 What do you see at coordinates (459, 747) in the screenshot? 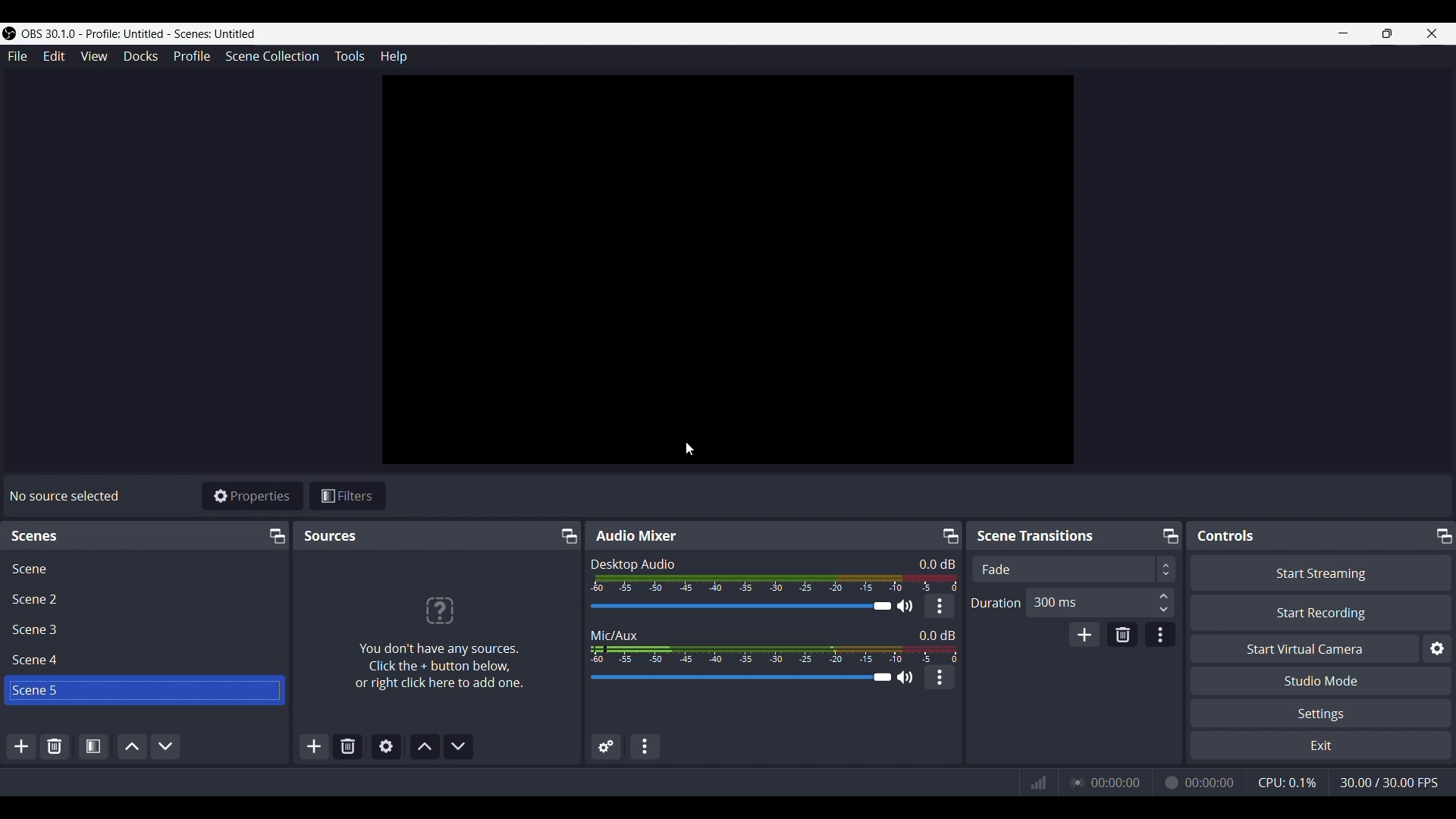
I see `Move Source Down` at bounding box center [459, 747].